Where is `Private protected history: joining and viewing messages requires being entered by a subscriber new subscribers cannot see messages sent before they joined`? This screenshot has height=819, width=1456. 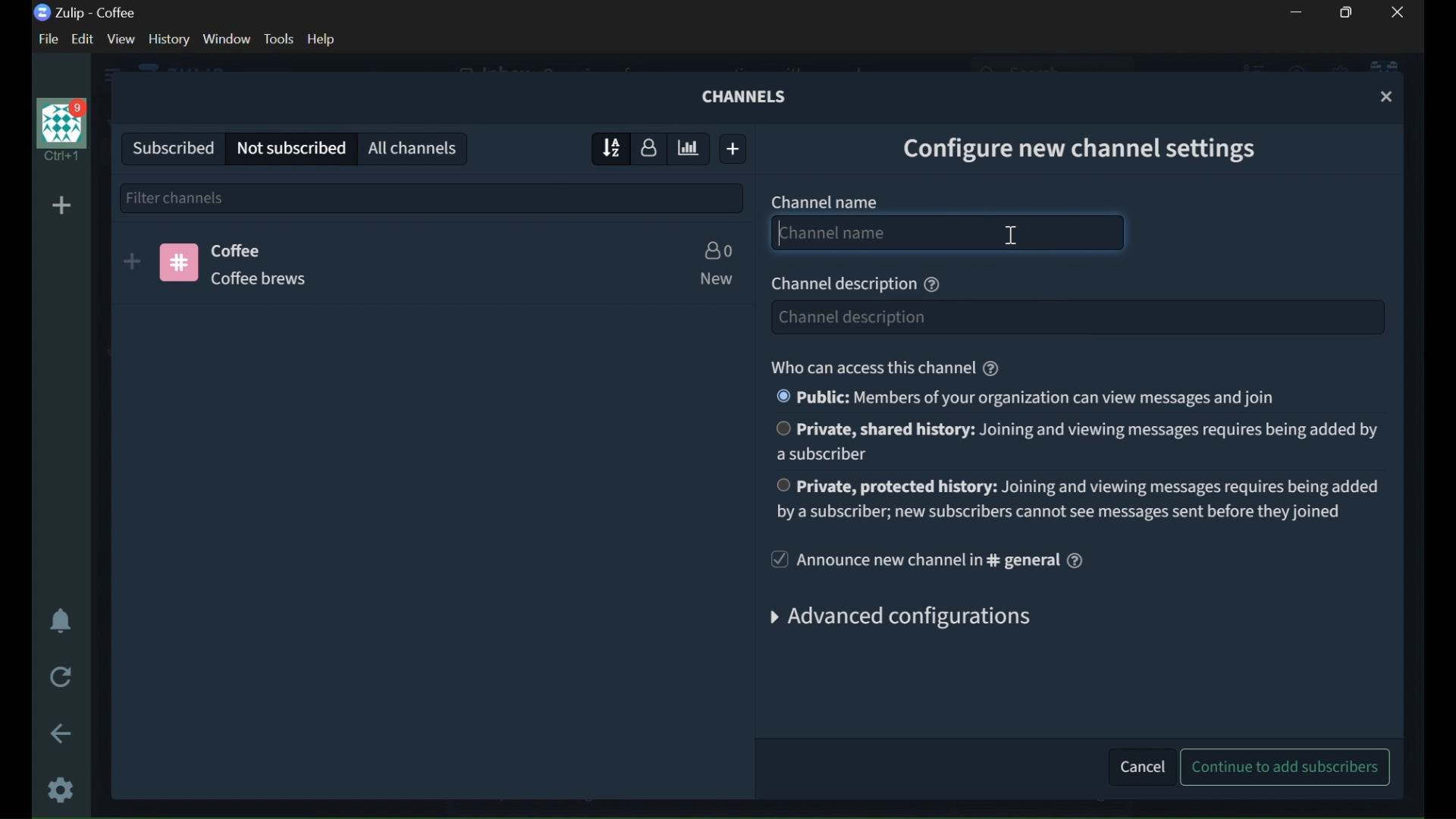
Private protected history: joining and viewing messages requires being entered by a subscriber new subscribers cannot see messages sent before they joined is located at coordinates (1077, 497).